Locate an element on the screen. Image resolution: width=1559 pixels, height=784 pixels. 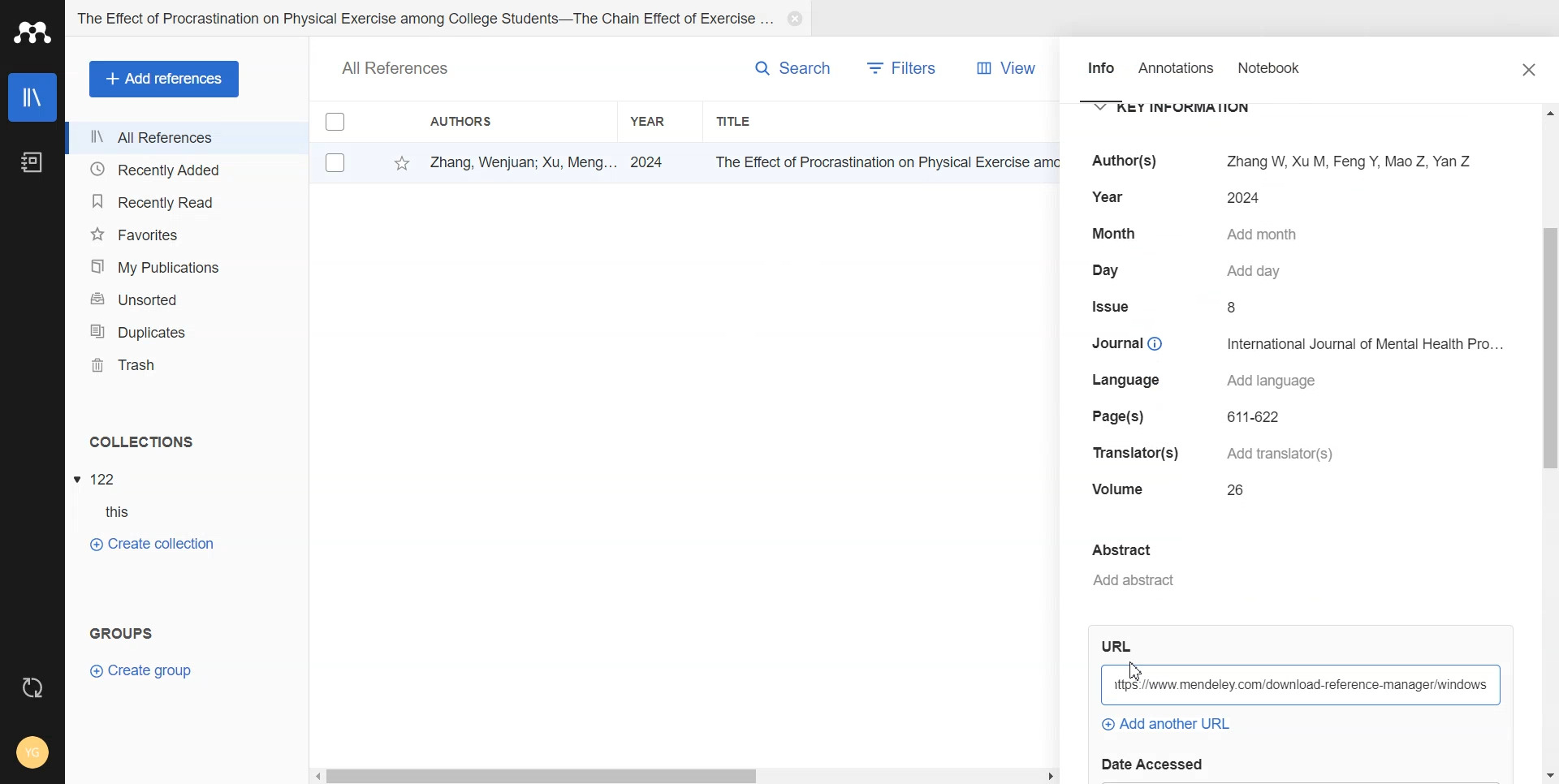
URL is located at coordinates (1121, 648).